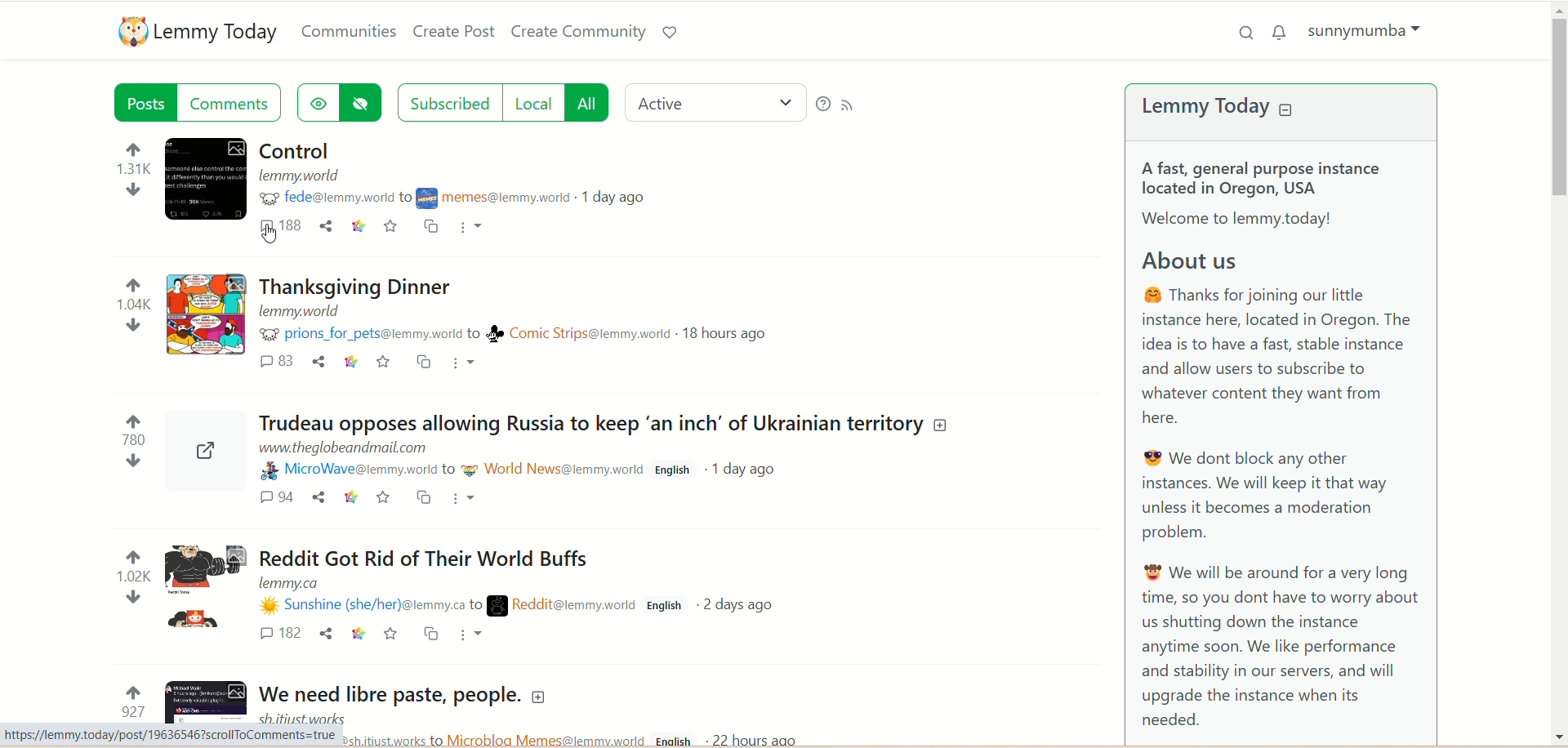 Image resolution: width=1568 pixels, height=748 pixels. What do you see at coordinates (1250, 36) in the screenshot?
I see `search` at bounding box center [1250, 36].